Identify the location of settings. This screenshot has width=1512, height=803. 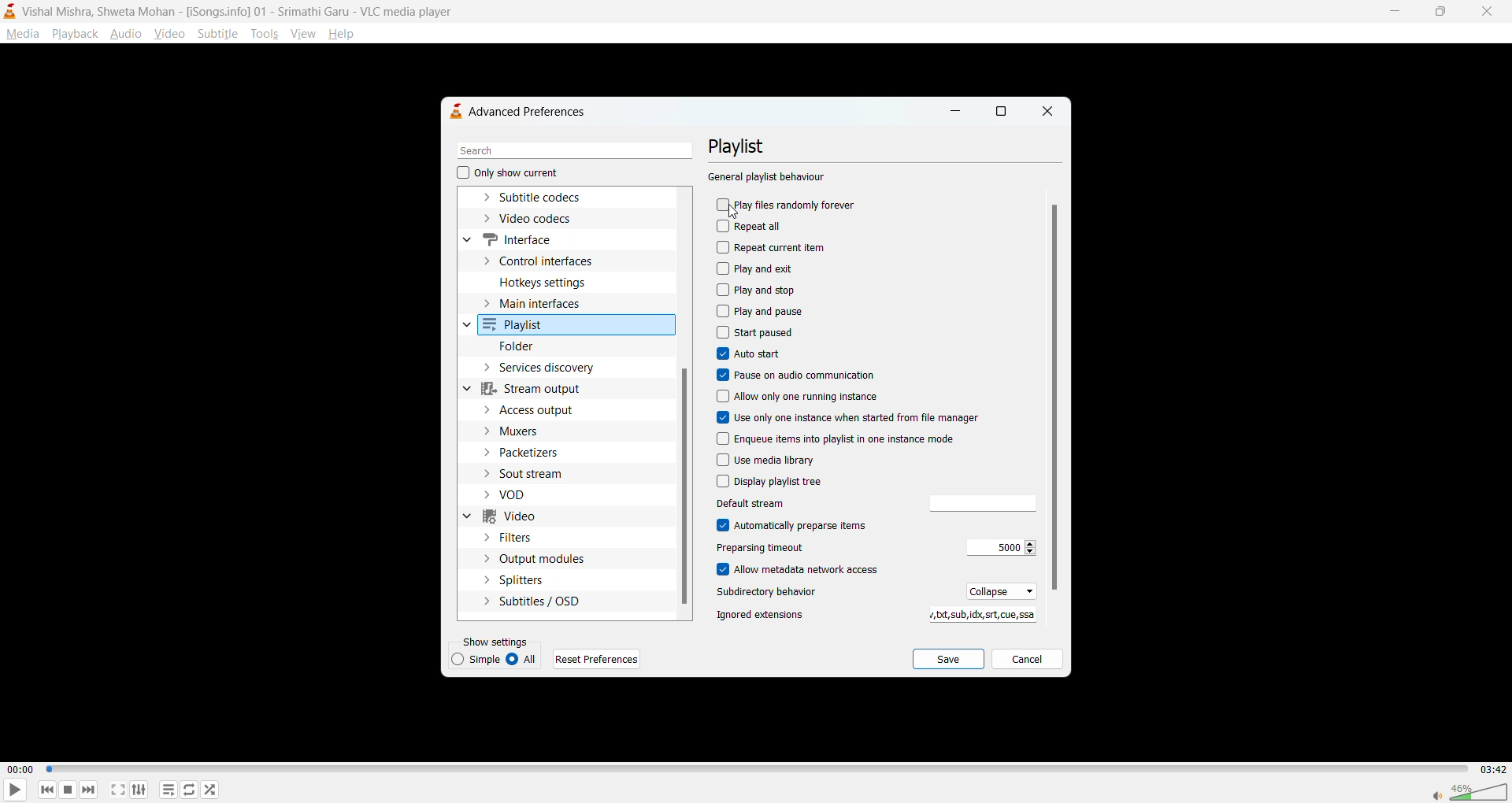
(139, 789).